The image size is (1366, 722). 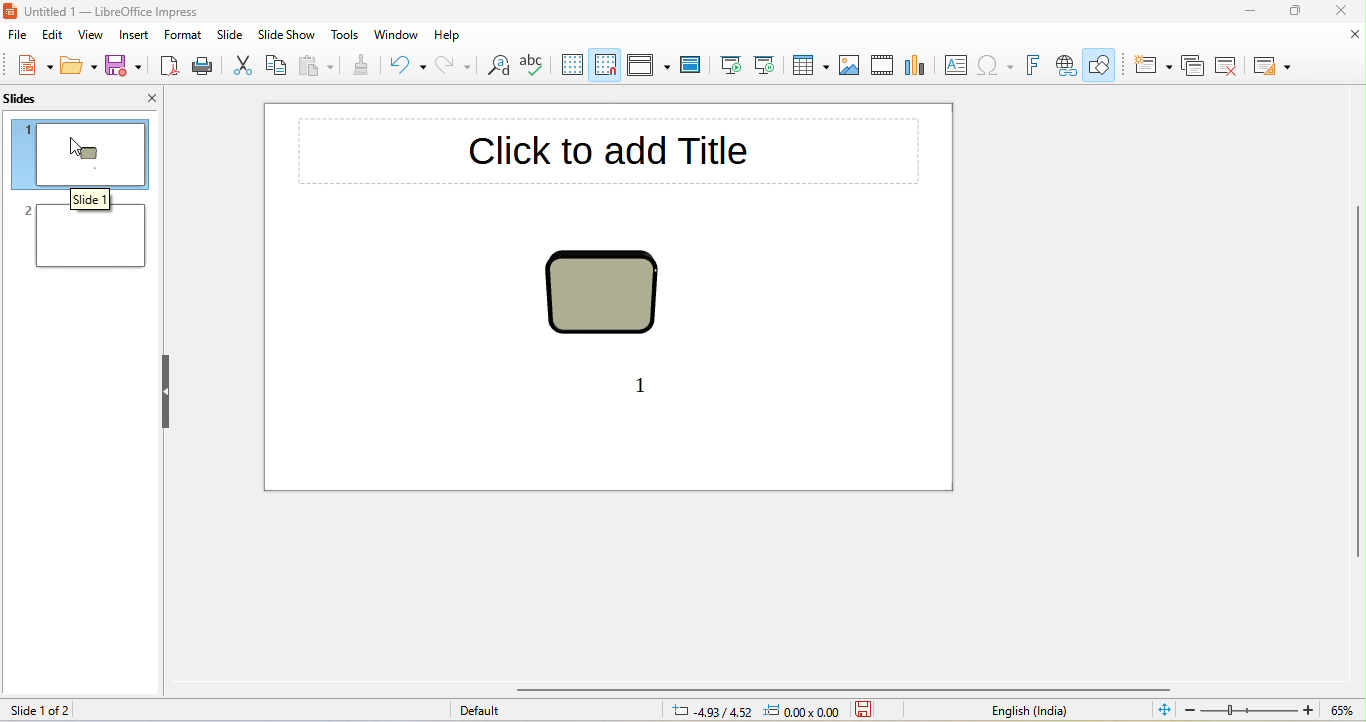 What do you see at coordinates (695, 67) in the screenshot?
I see `master slide` at bounding box center [695, 67].